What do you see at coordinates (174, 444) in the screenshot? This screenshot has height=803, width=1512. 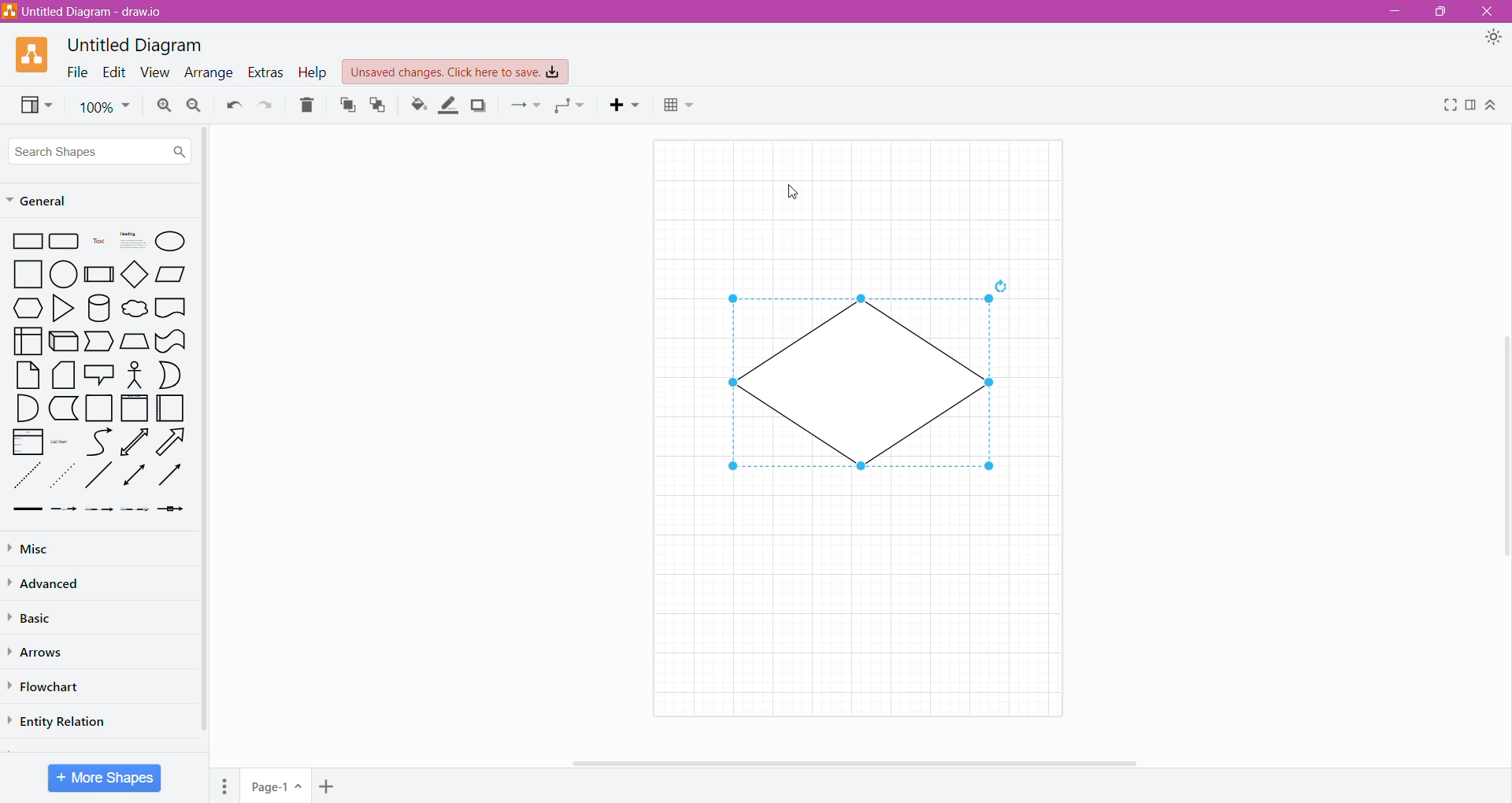 I see `Arrow` at bounding box center [174, 444].